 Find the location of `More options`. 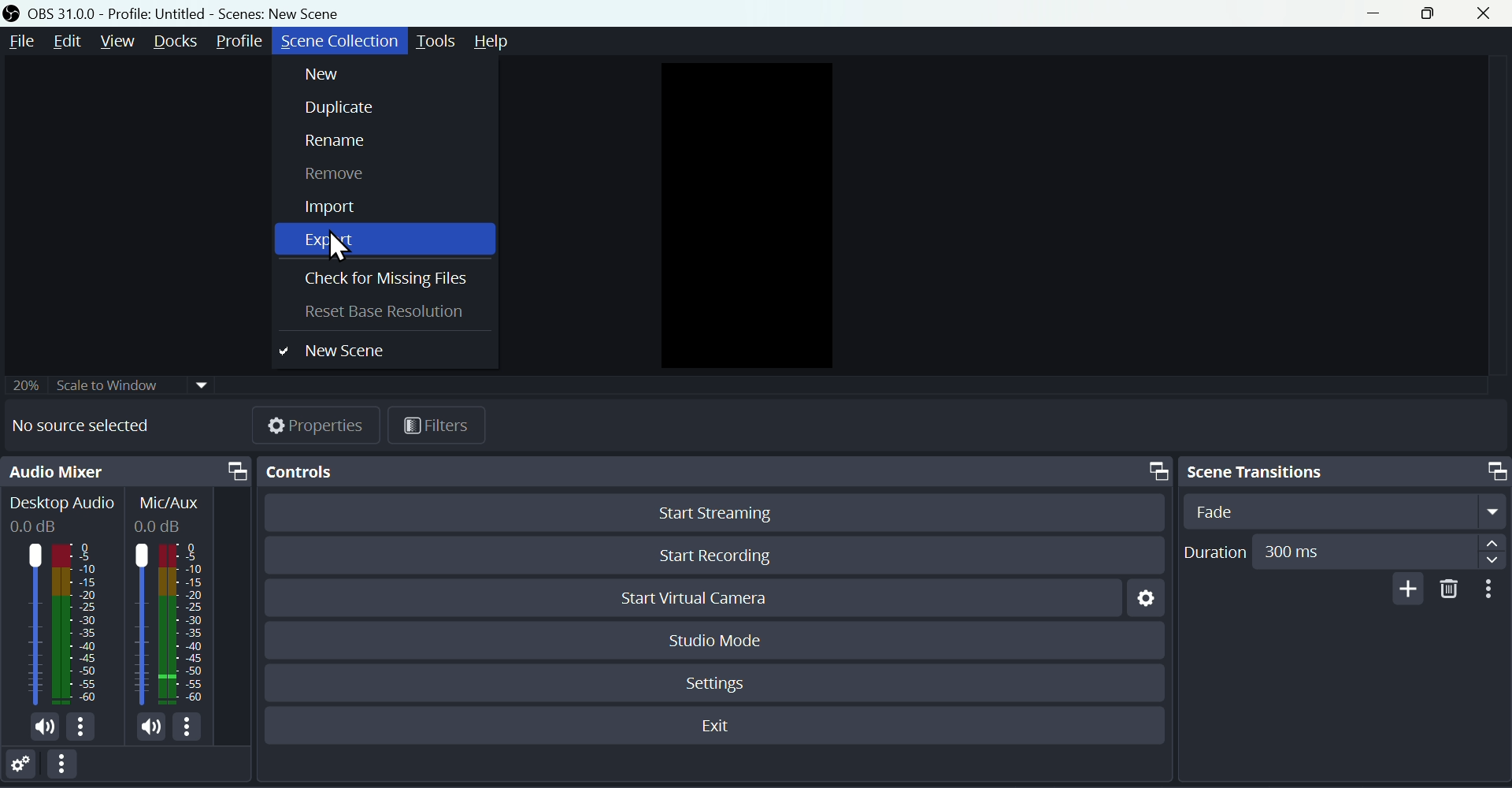

More options is located at coordinates (1492, 589).